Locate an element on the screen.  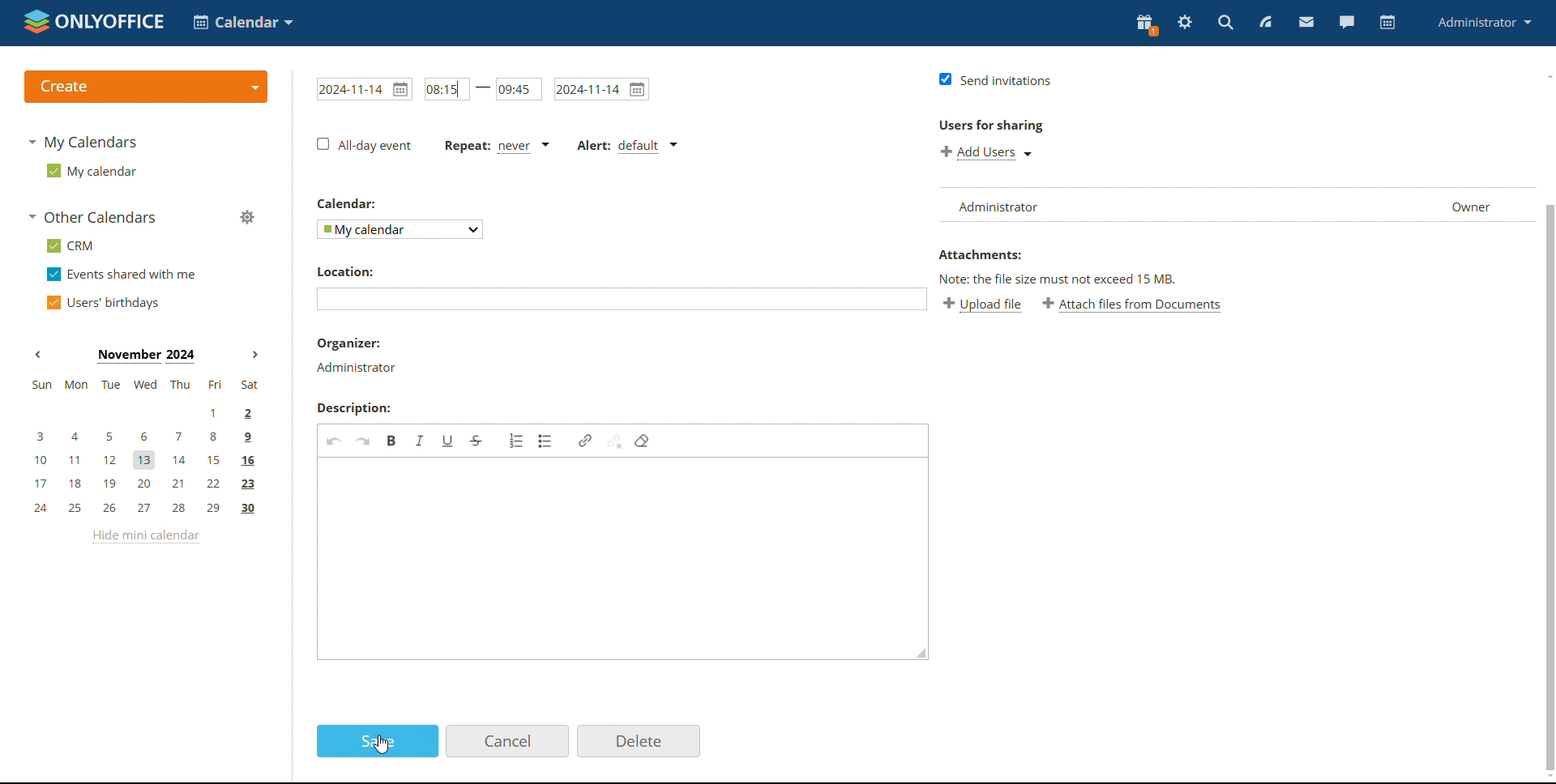
sun, mon, tue, wed, thu, fri, sat is located at coordinates (143, 385).